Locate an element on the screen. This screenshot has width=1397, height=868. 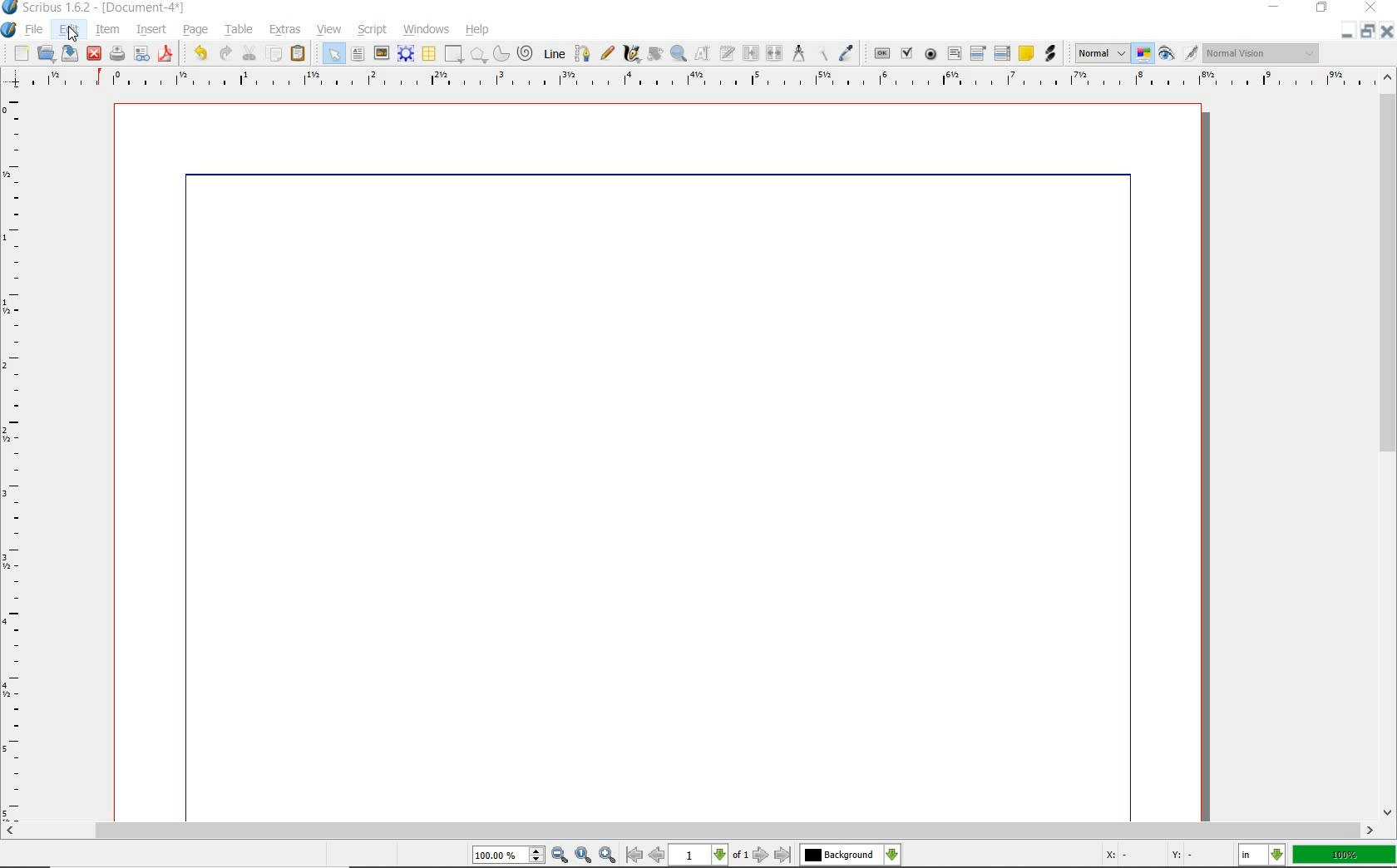
measurements is located at coordinates (799, 54).